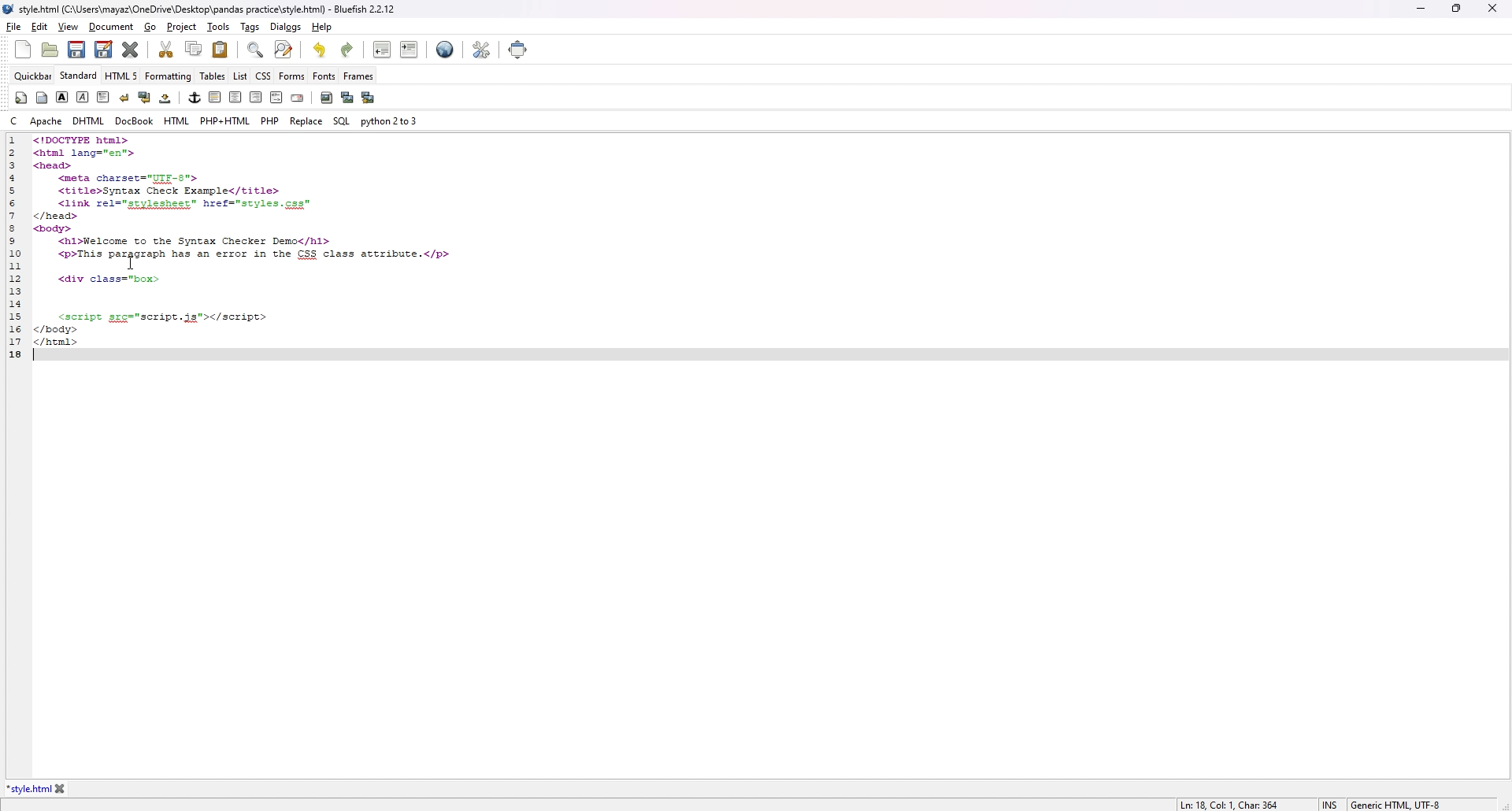 The image size is (1512, 811). What do you see at coordinates (321, 27) in the screenshot?
I see `help` at bounding box center [321, 27].